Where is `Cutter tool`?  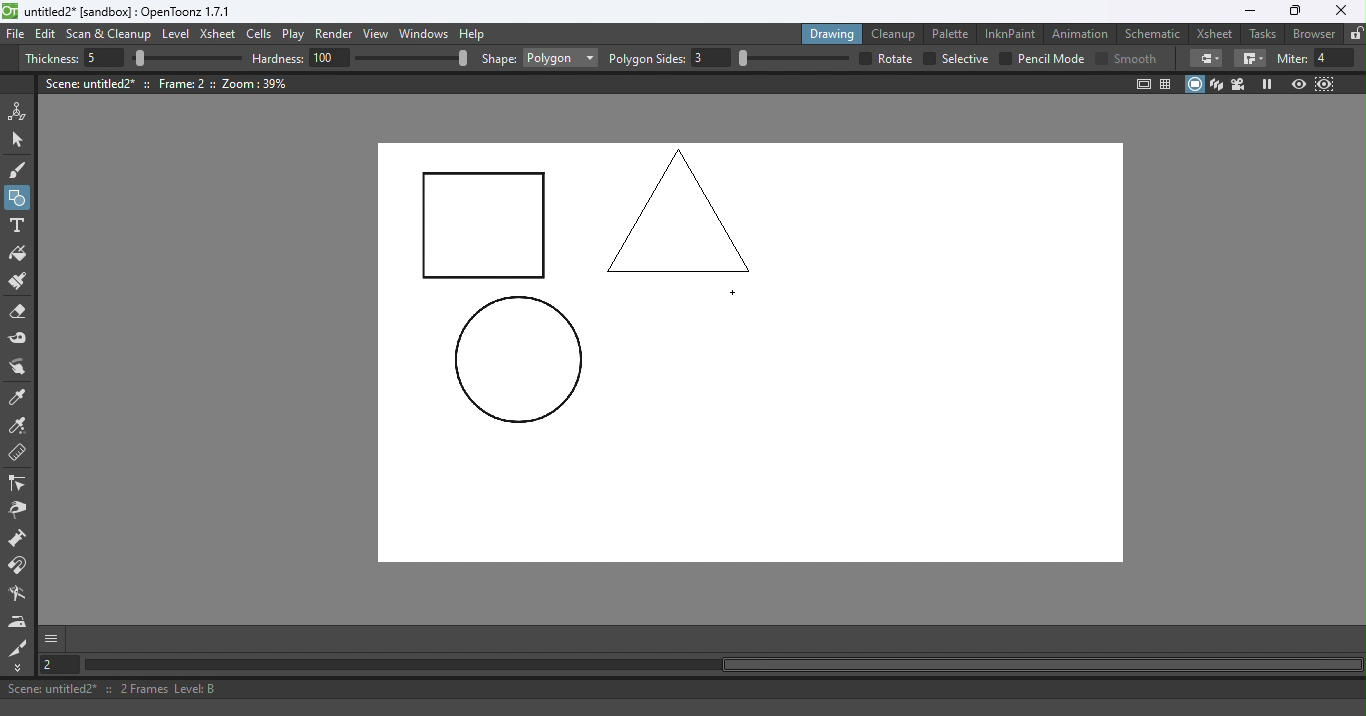
Cutter tool is located at coordinates (18, 647).